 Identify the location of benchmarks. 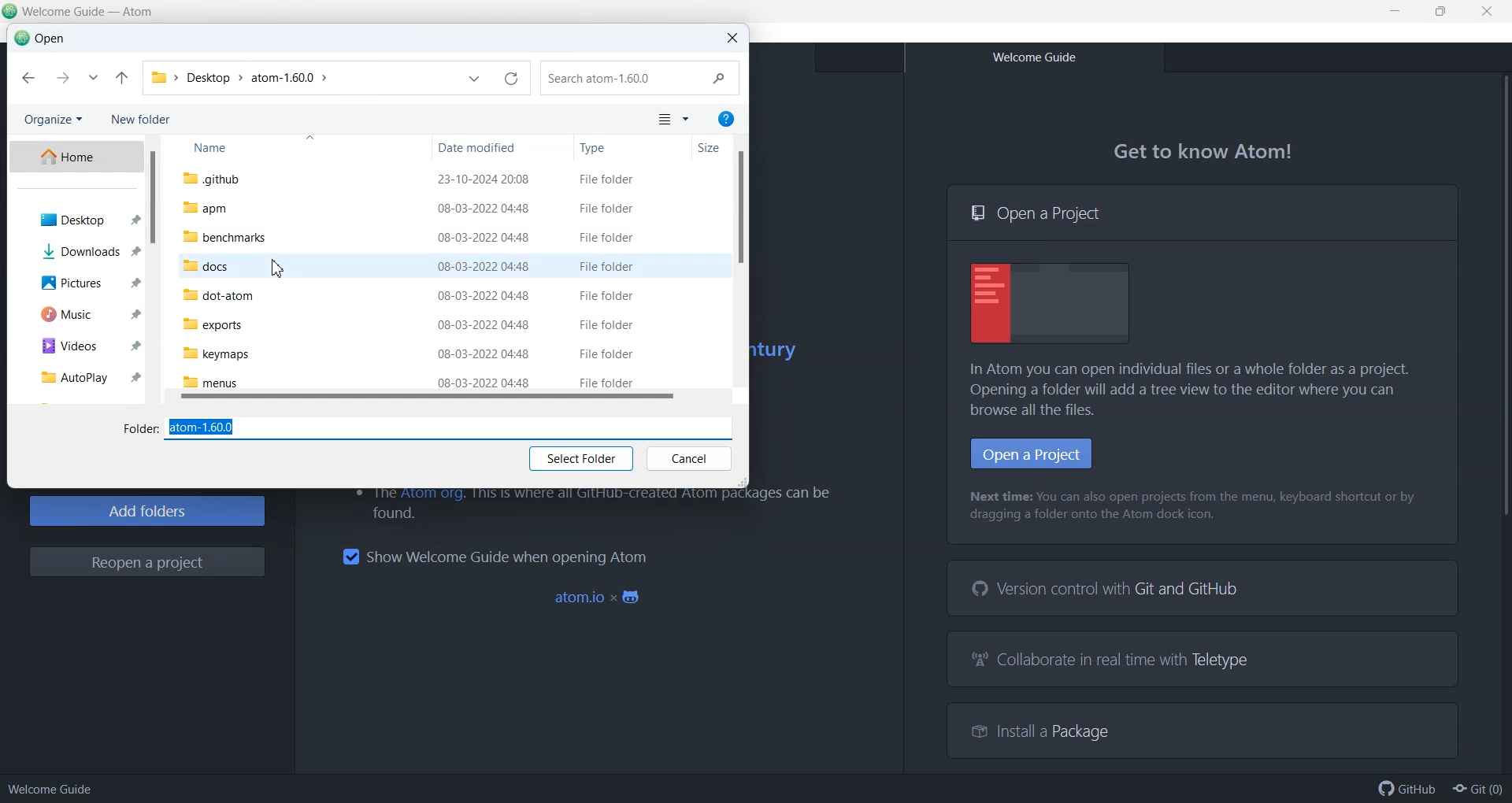
(224, 236).